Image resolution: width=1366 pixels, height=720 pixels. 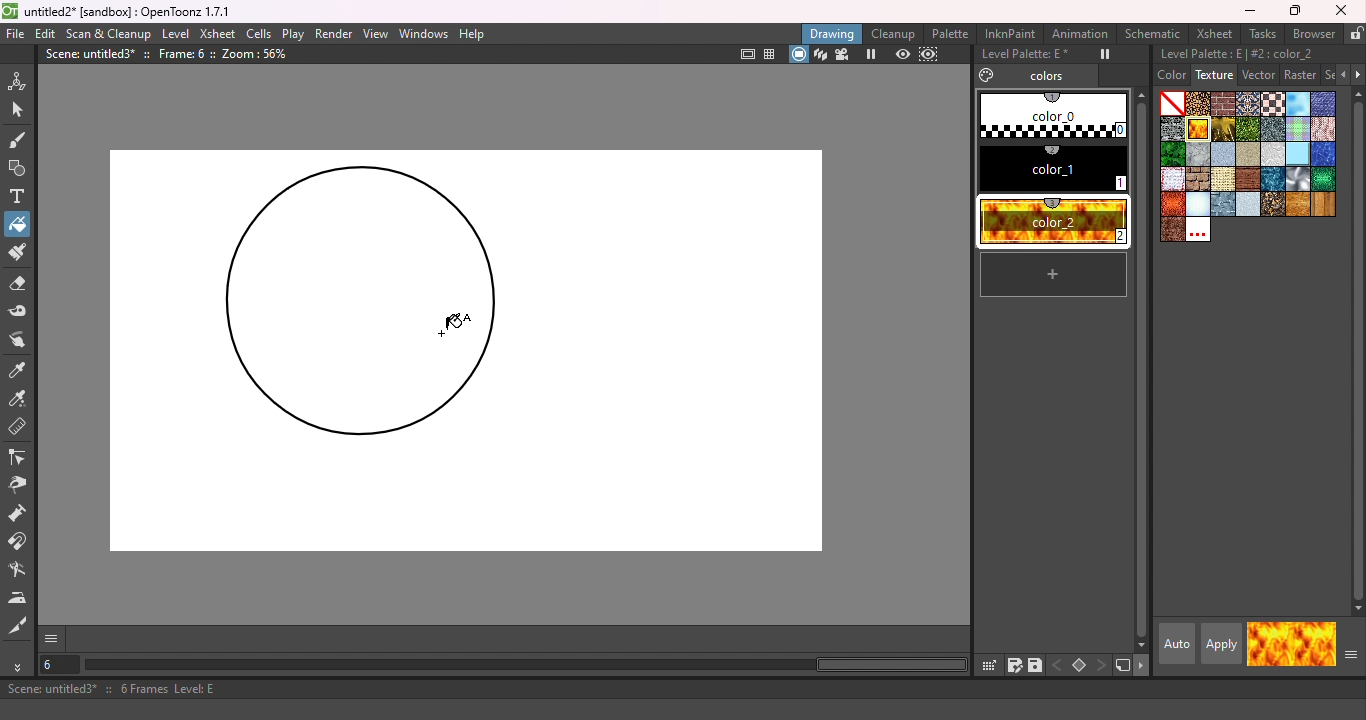 What do you see at coordinates (845, 54) in the screenshot?
I see `Camera view` at bounding box center [845, 54].